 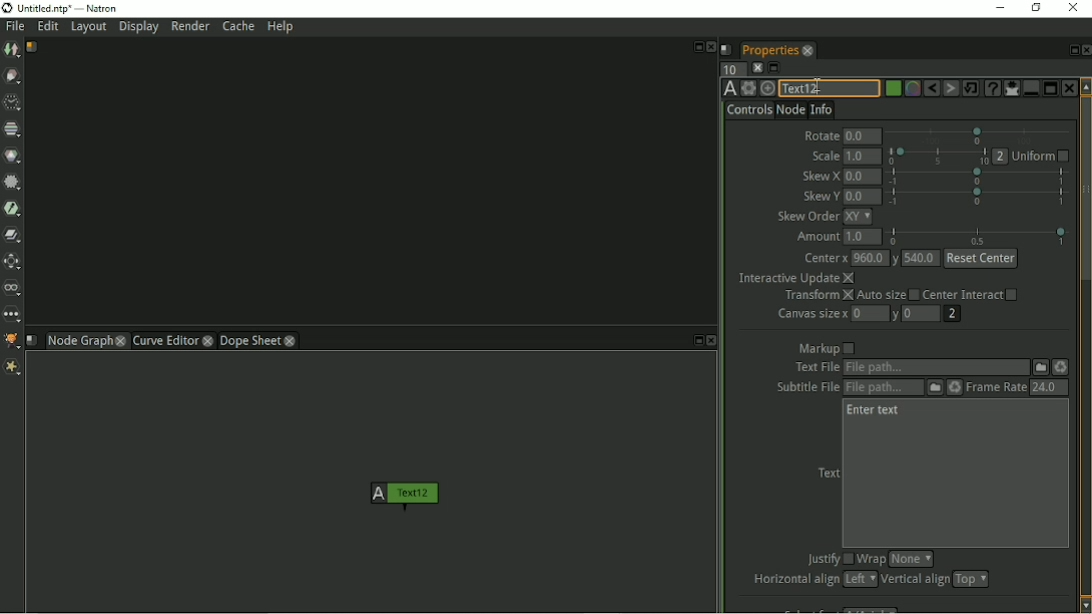 I want to click on Properties, so click(x=768, y=48).